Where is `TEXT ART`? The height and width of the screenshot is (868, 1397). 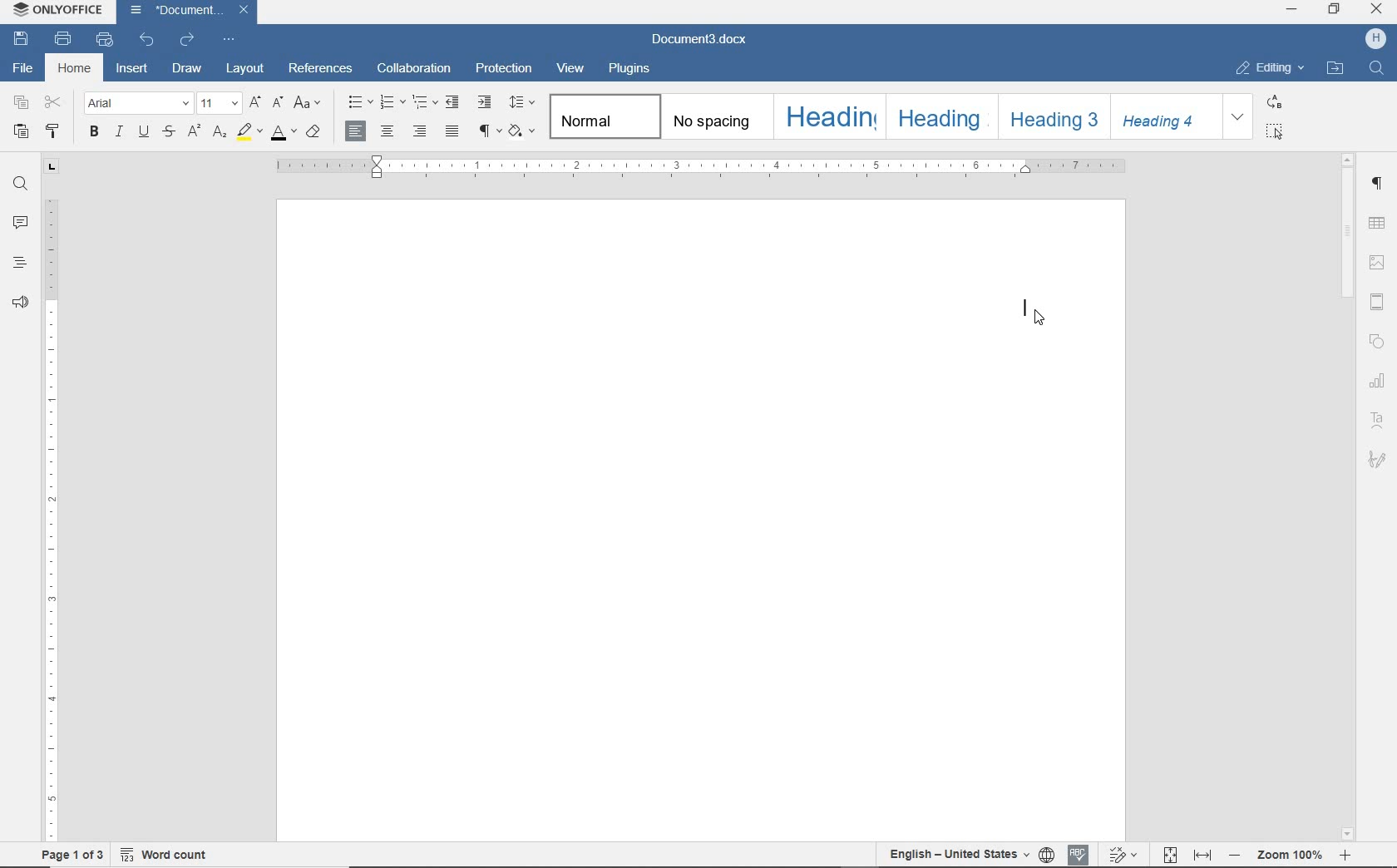
TEXT ART is located at coordinates (1381, 418).